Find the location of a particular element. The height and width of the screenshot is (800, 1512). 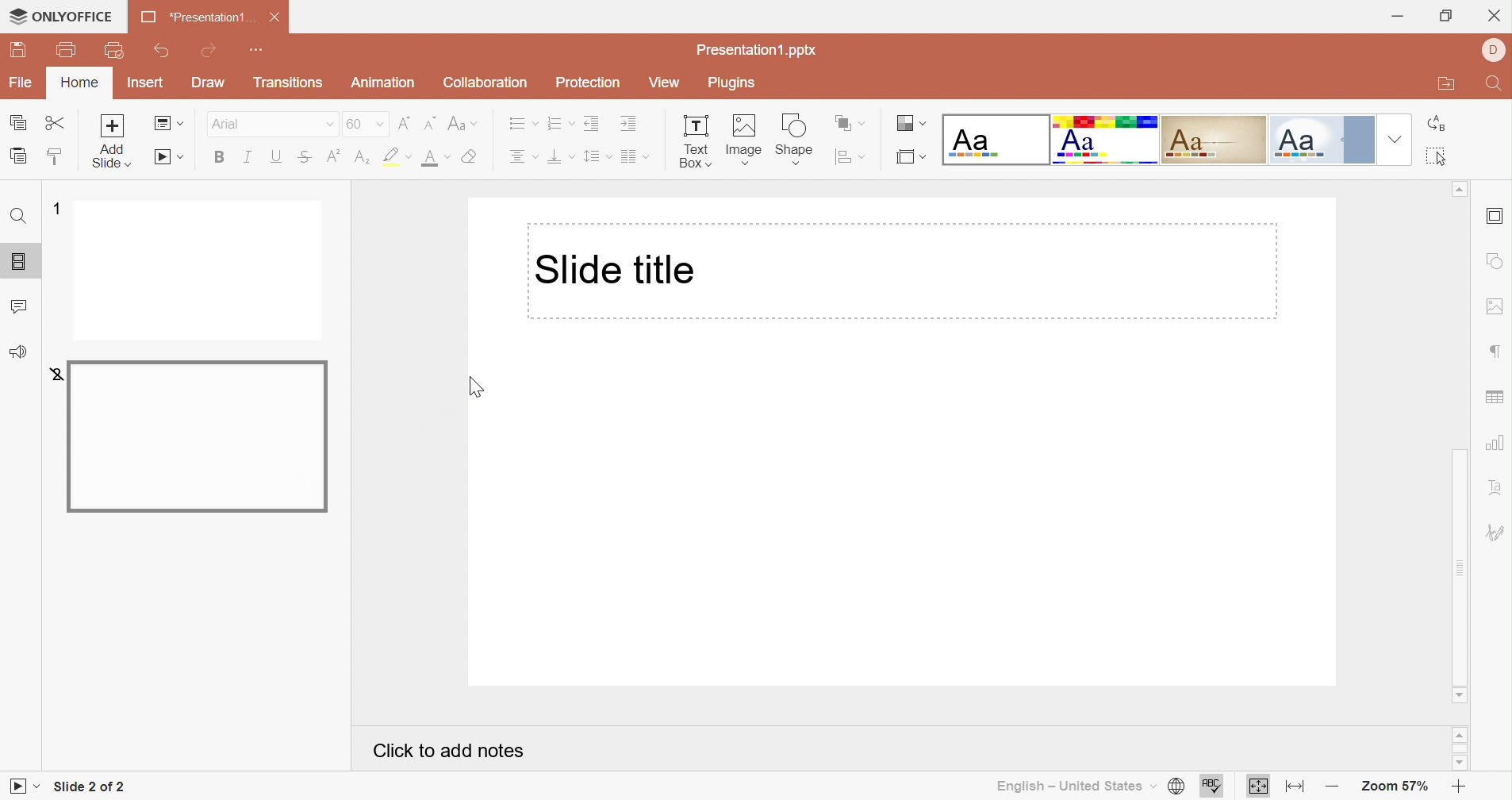

Copy Style is located at coordinates (56, 152).